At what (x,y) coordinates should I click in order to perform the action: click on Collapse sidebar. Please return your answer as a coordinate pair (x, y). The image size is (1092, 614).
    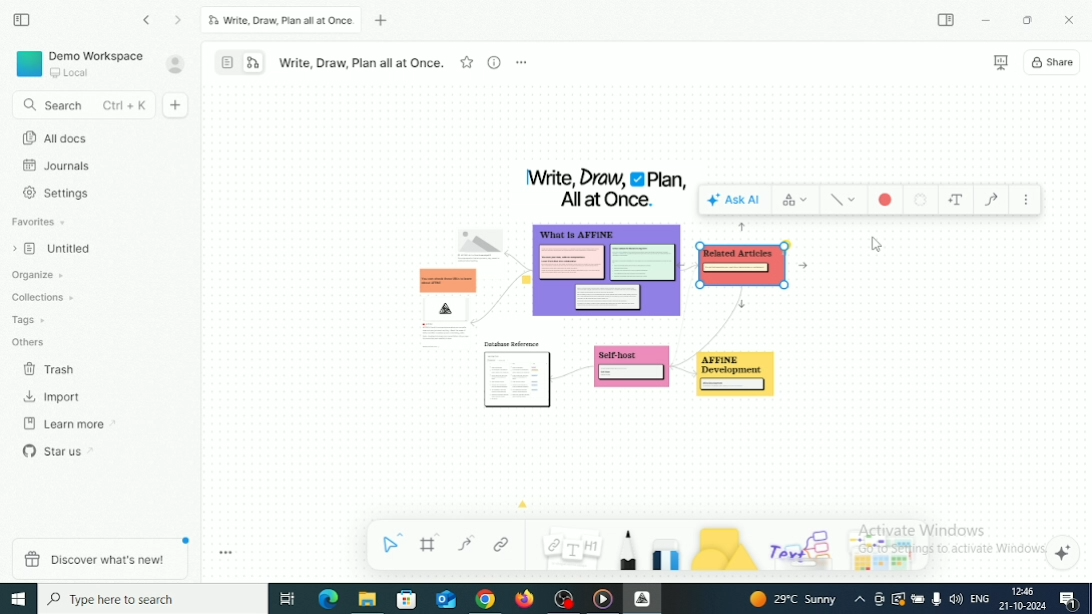
    Looking at the image, I should click on (21, 19).